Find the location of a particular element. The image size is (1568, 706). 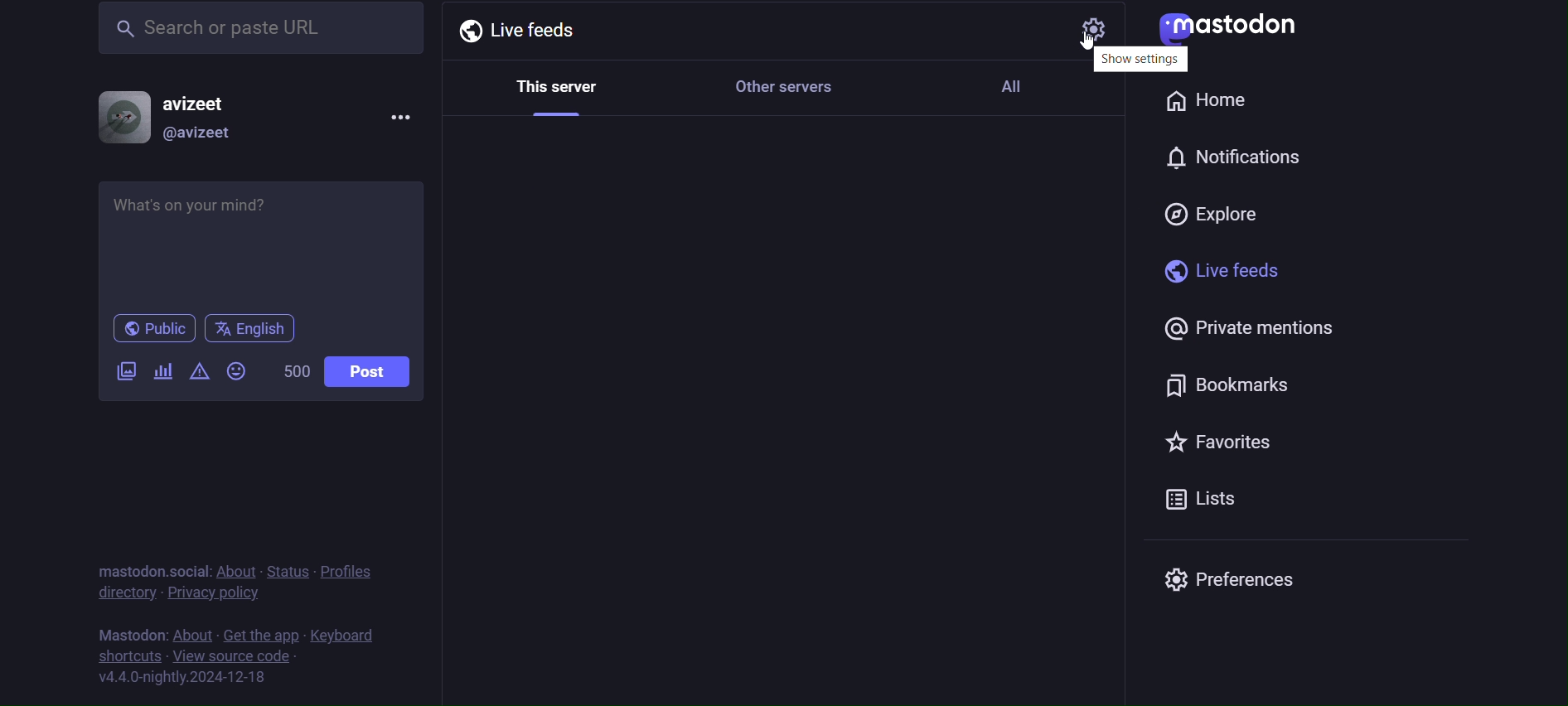

view source code is located at coordinates (245, 657).